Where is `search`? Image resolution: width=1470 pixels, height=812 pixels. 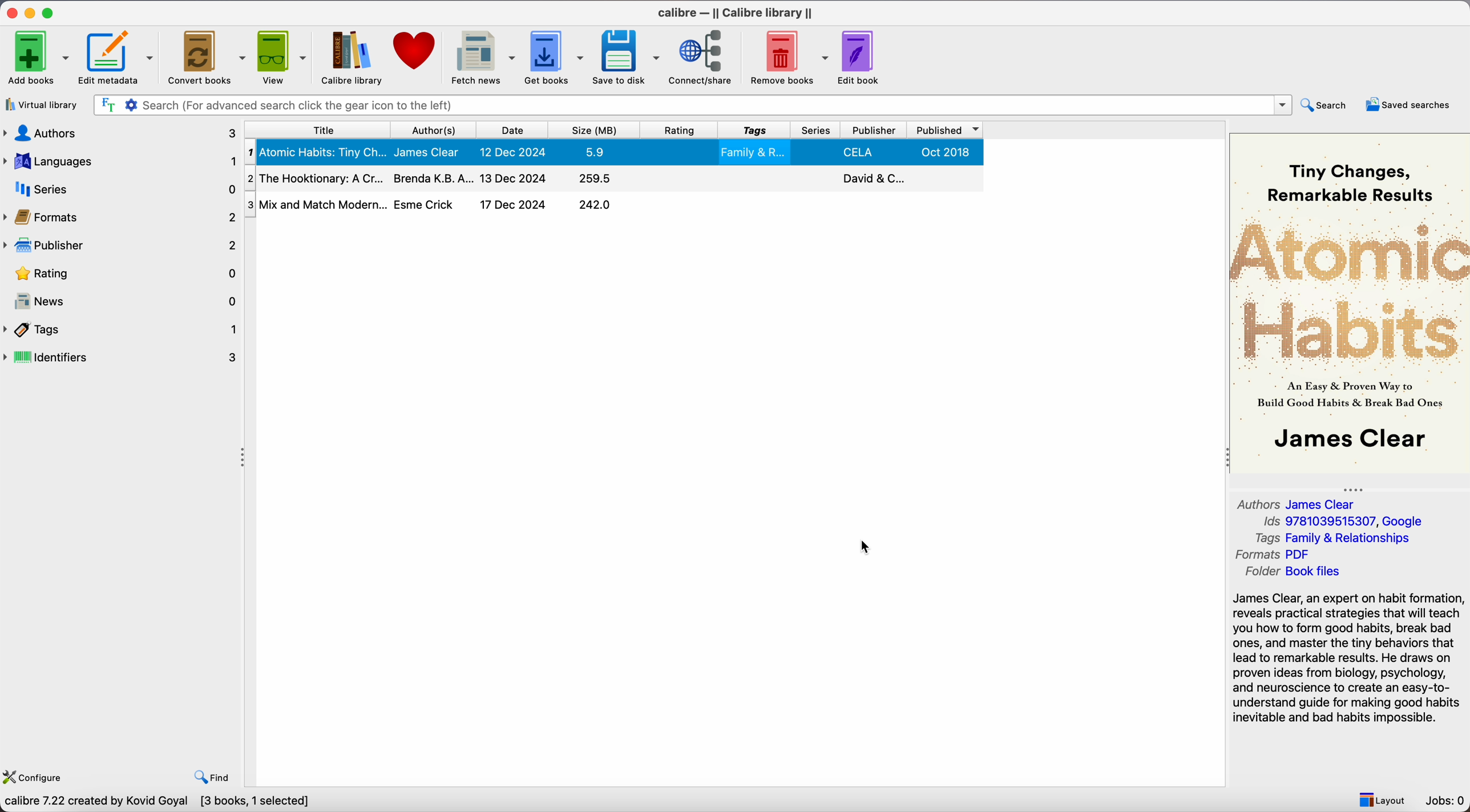 search is located at coordinates (1324, 104).